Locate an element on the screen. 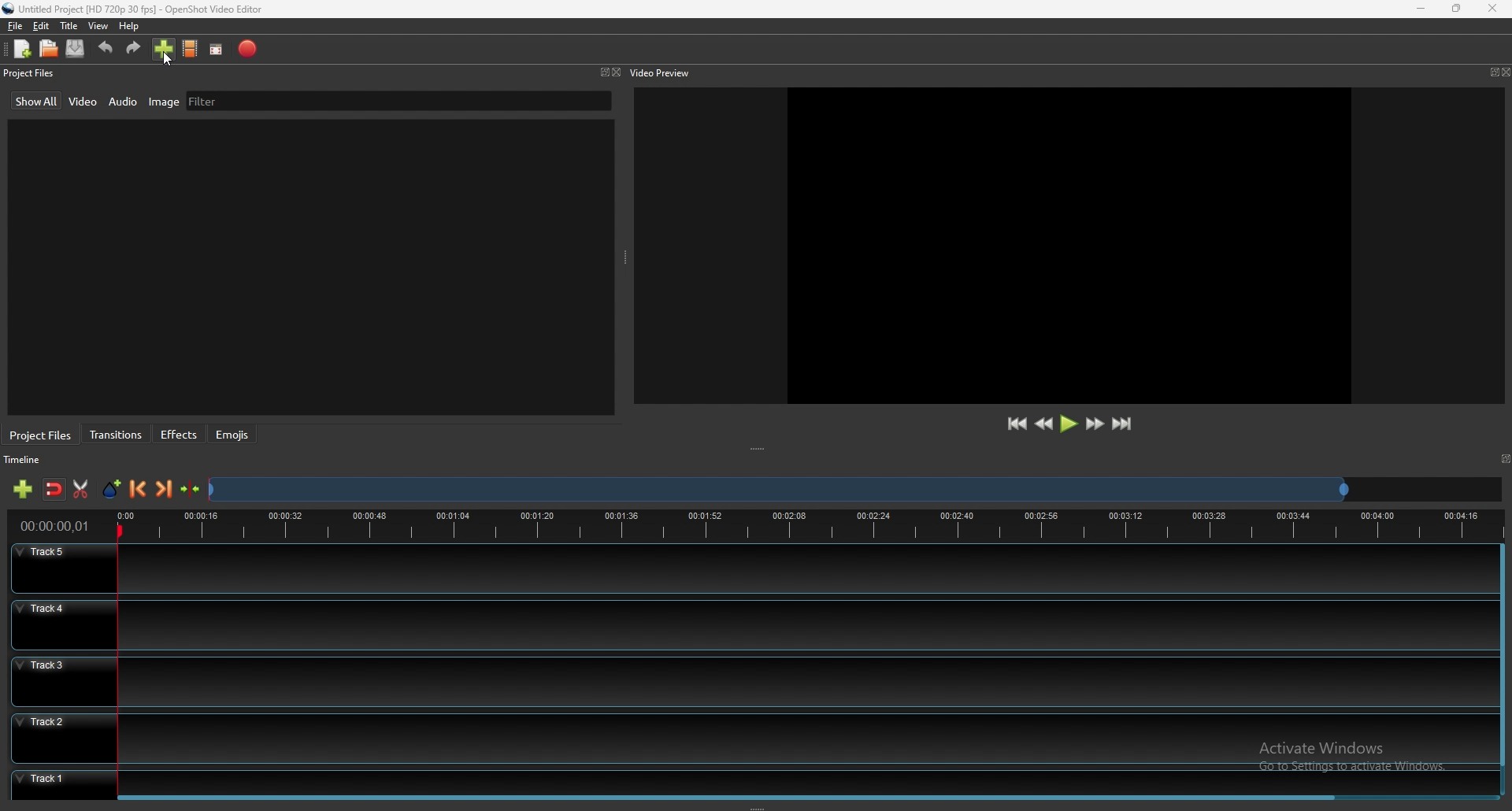 This screenshot has height=811, width=1512. jump to end is located at coordinates (1121, 424).